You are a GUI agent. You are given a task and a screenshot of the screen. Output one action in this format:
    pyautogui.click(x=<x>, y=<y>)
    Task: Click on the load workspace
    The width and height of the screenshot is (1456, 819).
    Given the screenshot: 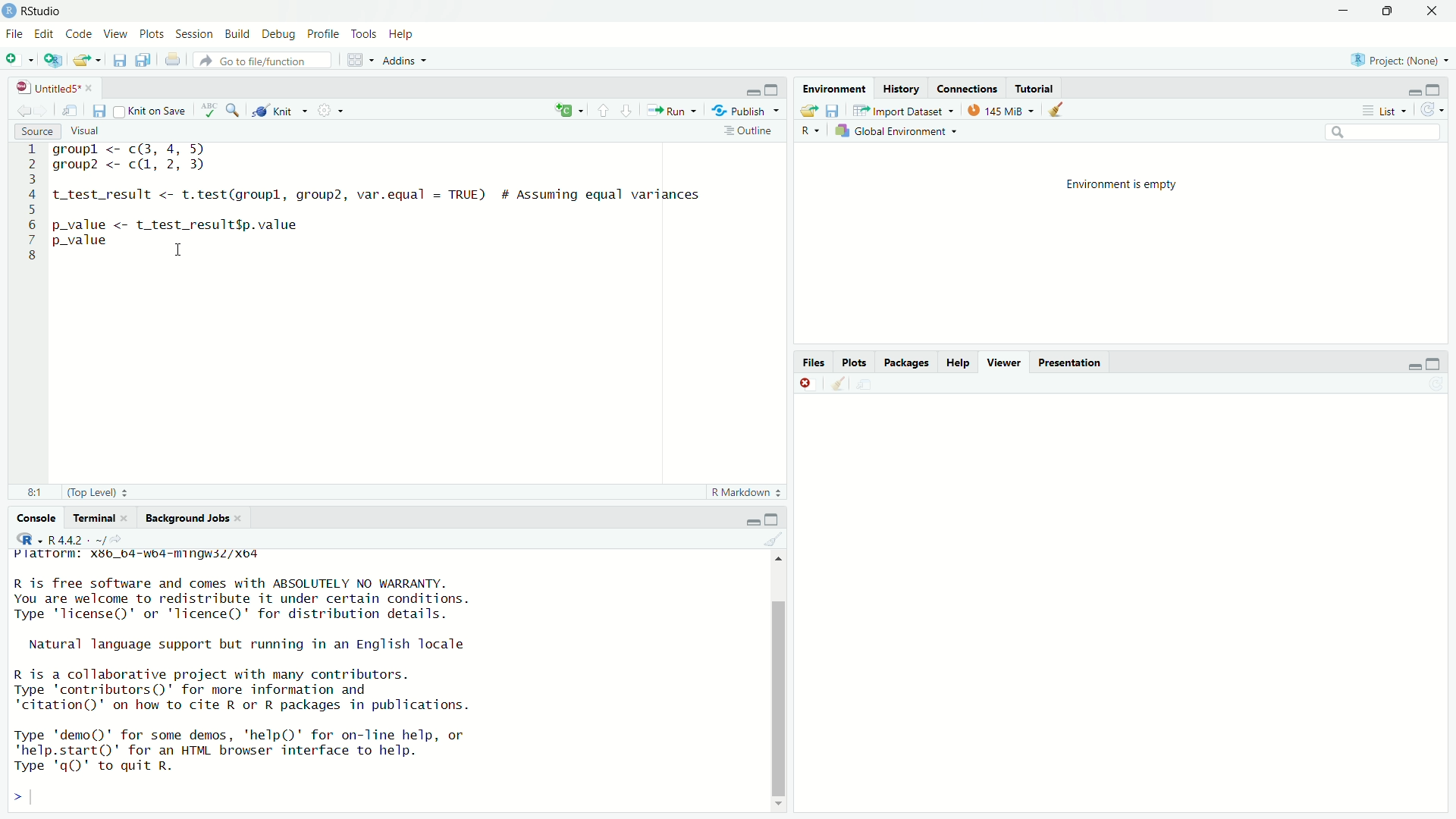 What is the action you would take?
    pyautogui.click(x=808, y=110)
    